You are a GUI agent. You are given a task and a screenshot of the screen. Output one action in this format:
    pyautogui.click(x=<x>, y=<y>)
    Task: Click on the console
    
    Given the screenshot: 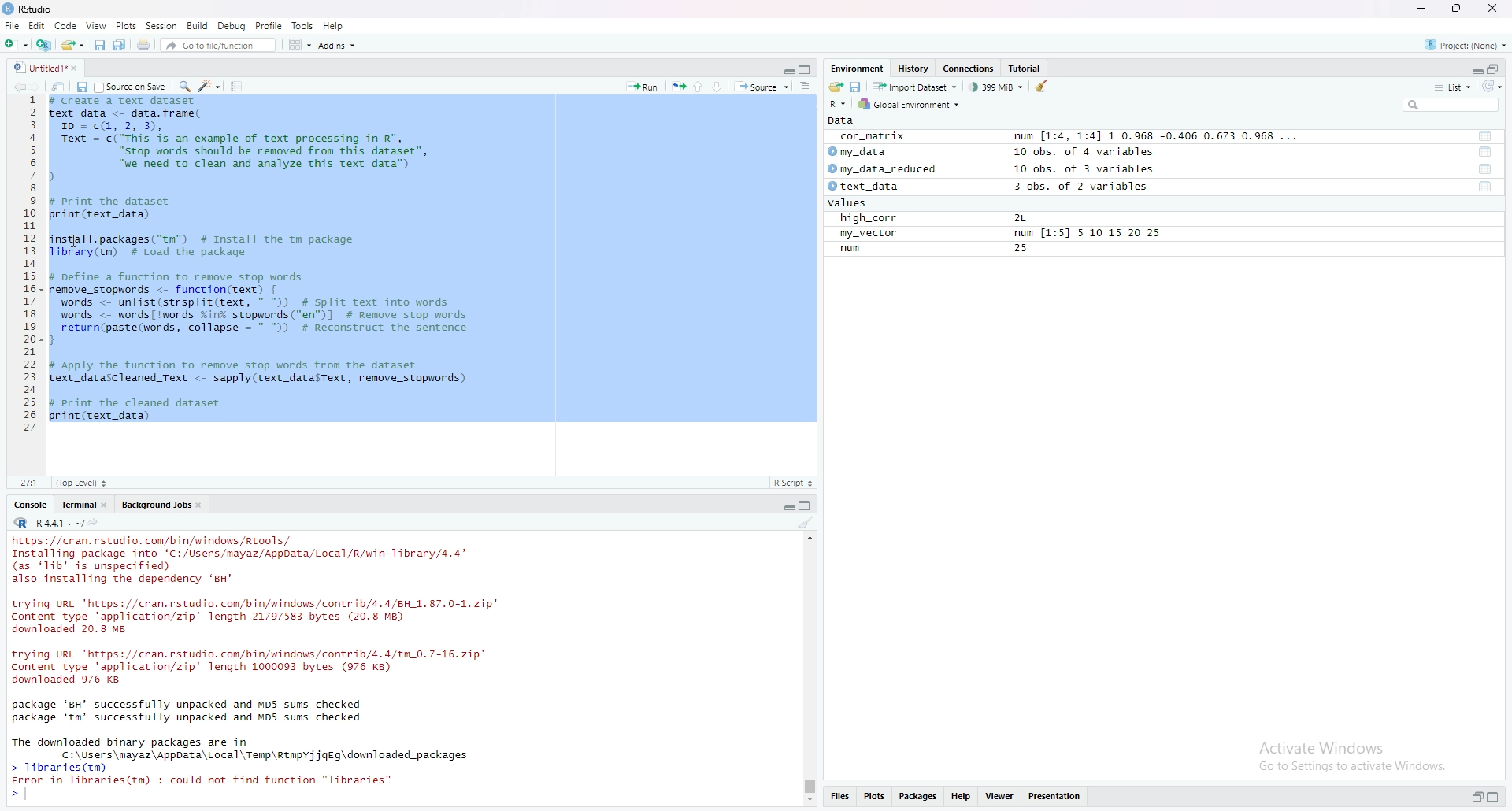 What is the action you would take?
    pyautogui.click(x=32, y=505)
    